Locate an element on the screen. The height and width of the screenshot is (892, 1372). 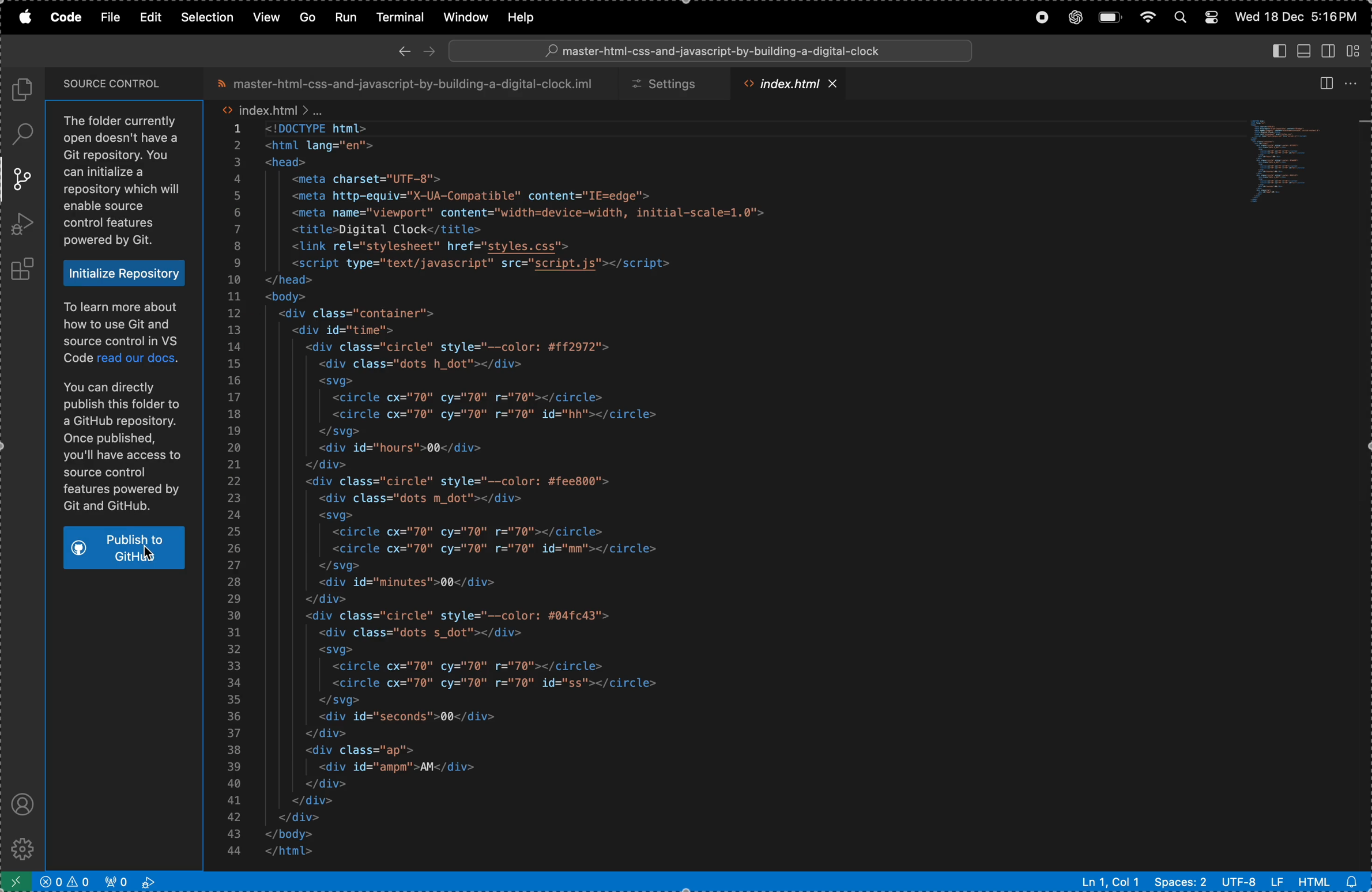
N master-html-css-and-javascript-by-building-a-digital-clock.iml is located at coordinates (408, 84).